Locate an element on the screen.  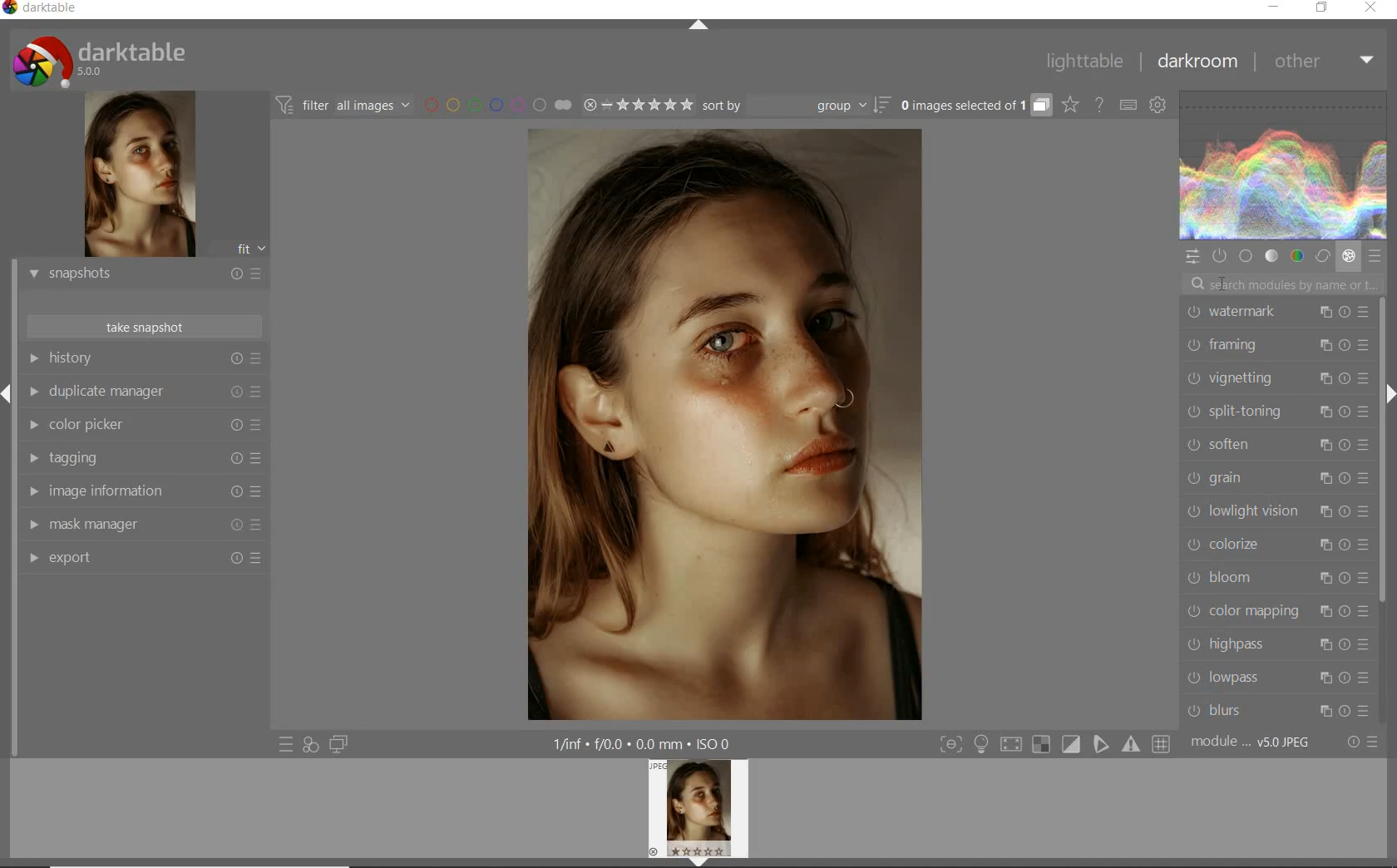
colorize is located at coordinates (1275, 543).